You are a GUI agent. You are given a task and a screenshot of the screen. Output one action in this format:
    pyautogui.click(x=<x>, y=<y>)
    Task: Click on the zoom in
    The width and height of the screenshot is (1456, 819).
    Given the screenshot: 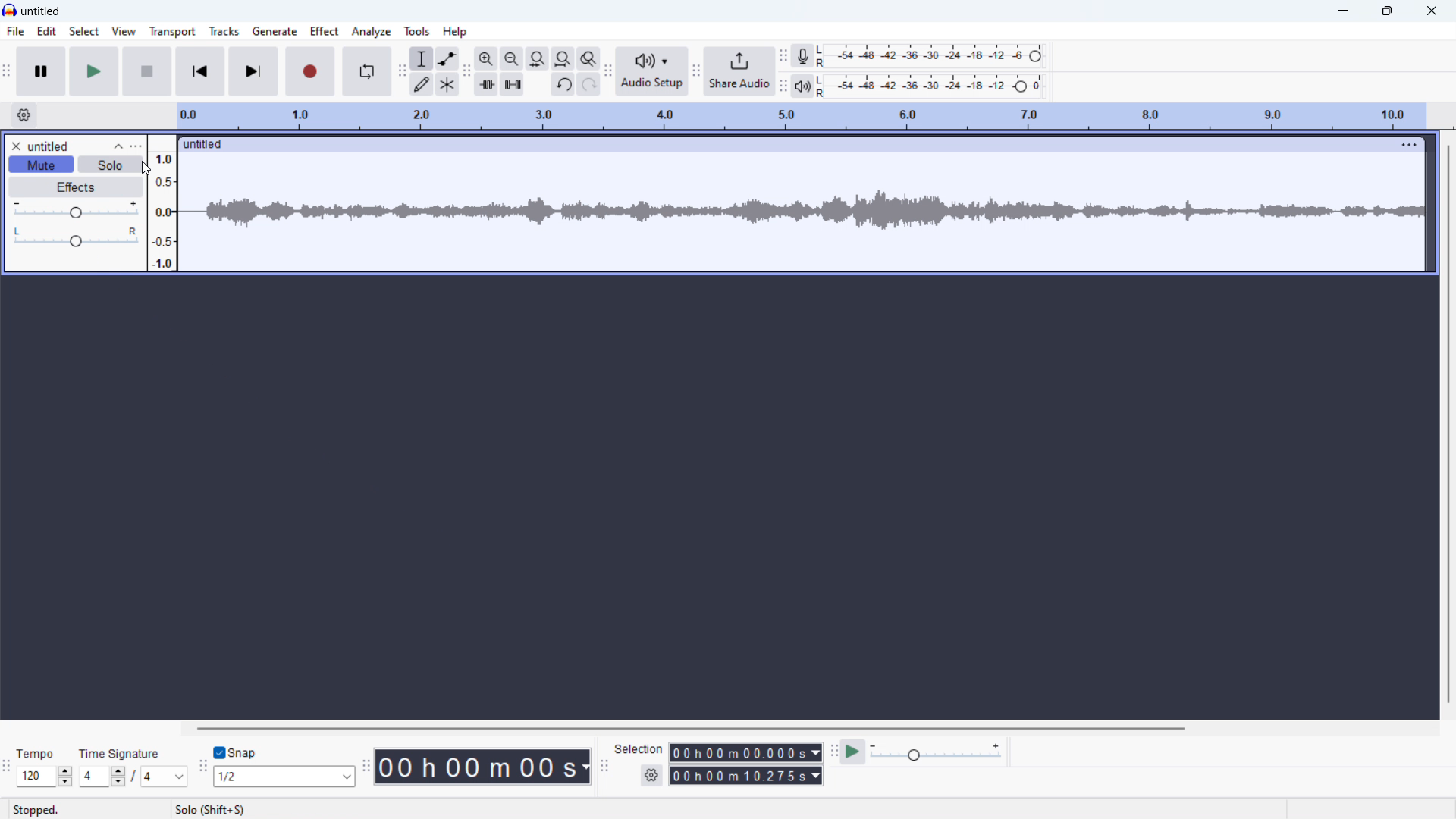 What is the action you would take?
    pyautogui.click(x=487, y=58)
    